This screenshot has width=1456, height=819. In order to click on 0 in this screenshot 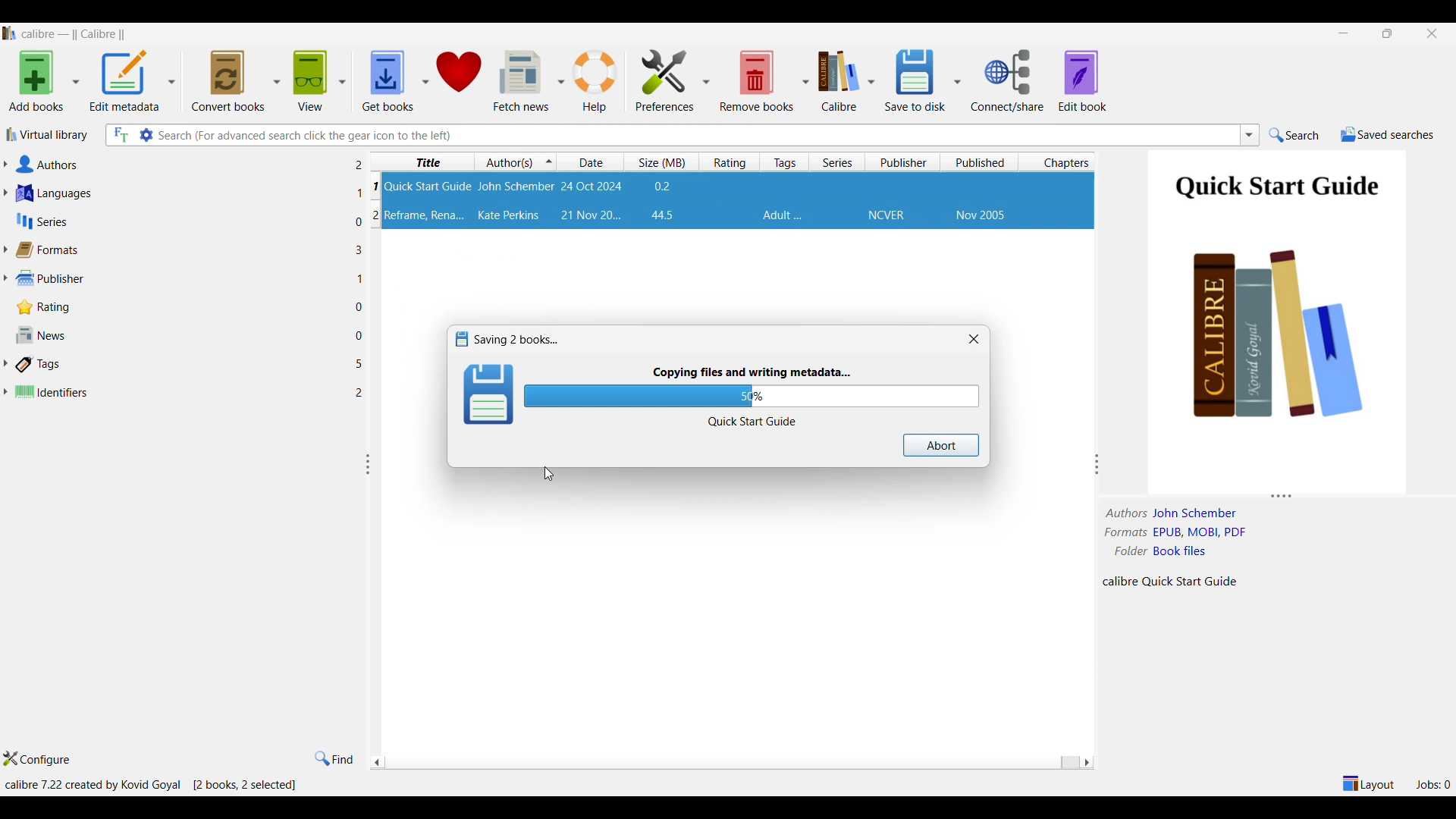, I will do `click(362, 307)`.